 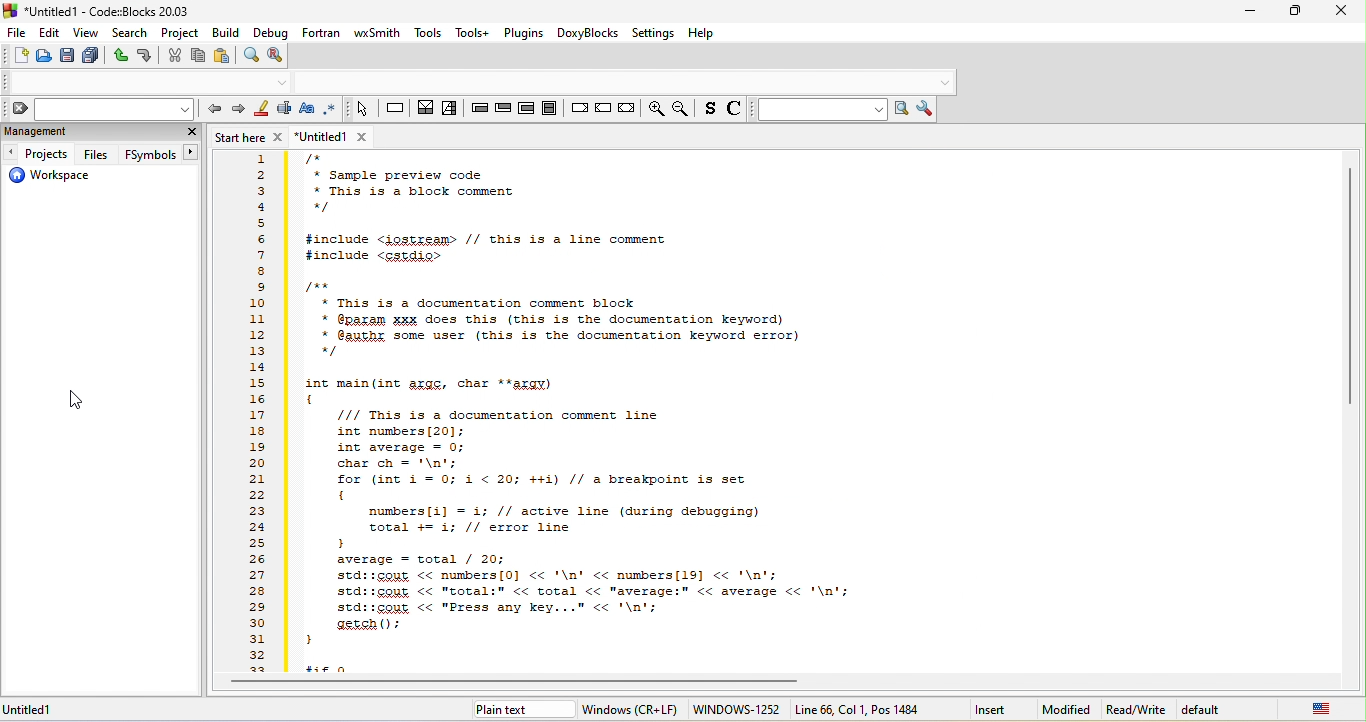 What do you see at coordinates (59, 176) in the screenshot?
I see `workspace` at bounding box center [59, 176].